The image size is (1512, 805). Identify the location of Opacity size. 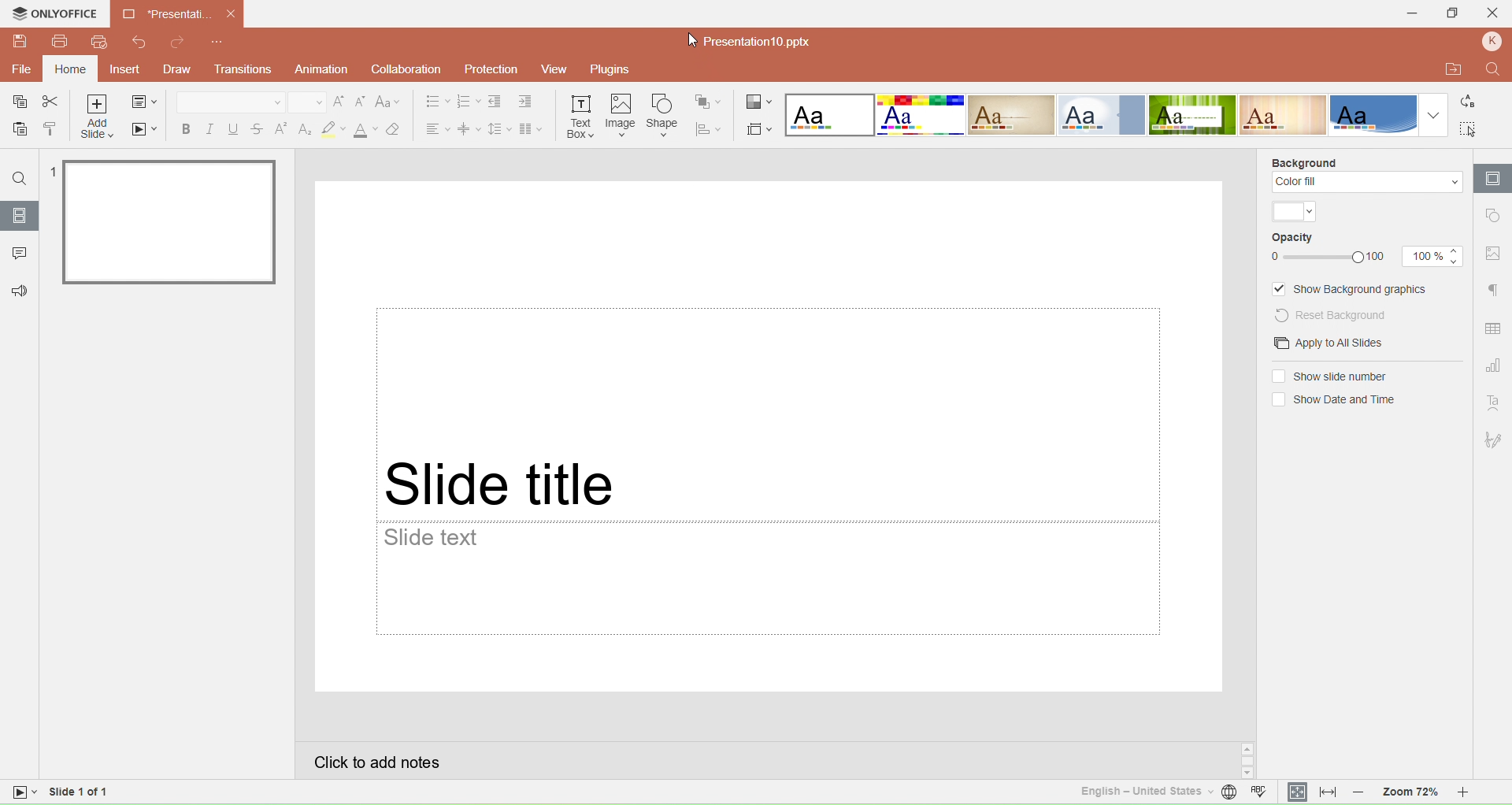
(1432, 256).